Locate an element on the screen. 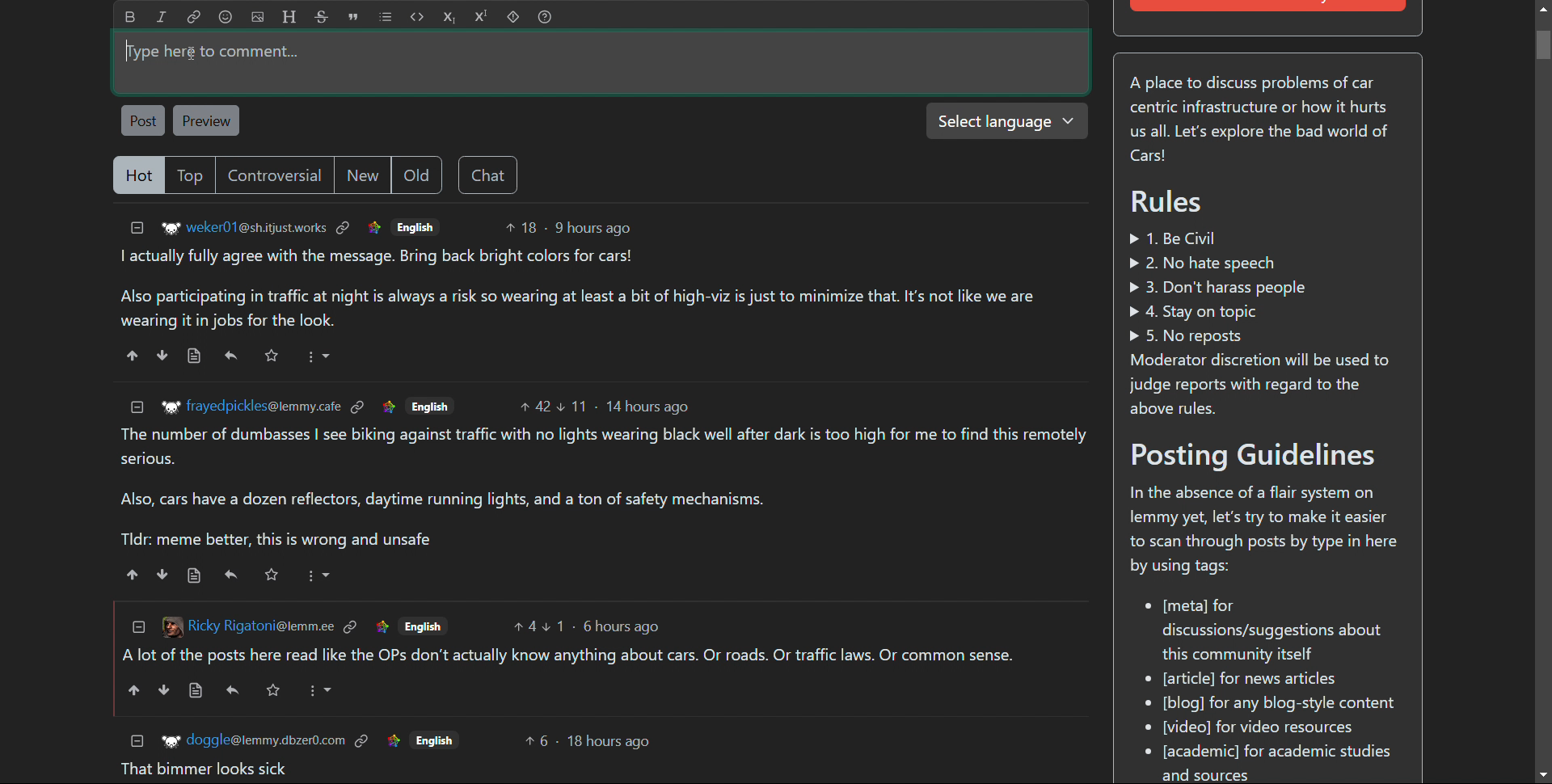  downvote is located at coordinates (163, 574).